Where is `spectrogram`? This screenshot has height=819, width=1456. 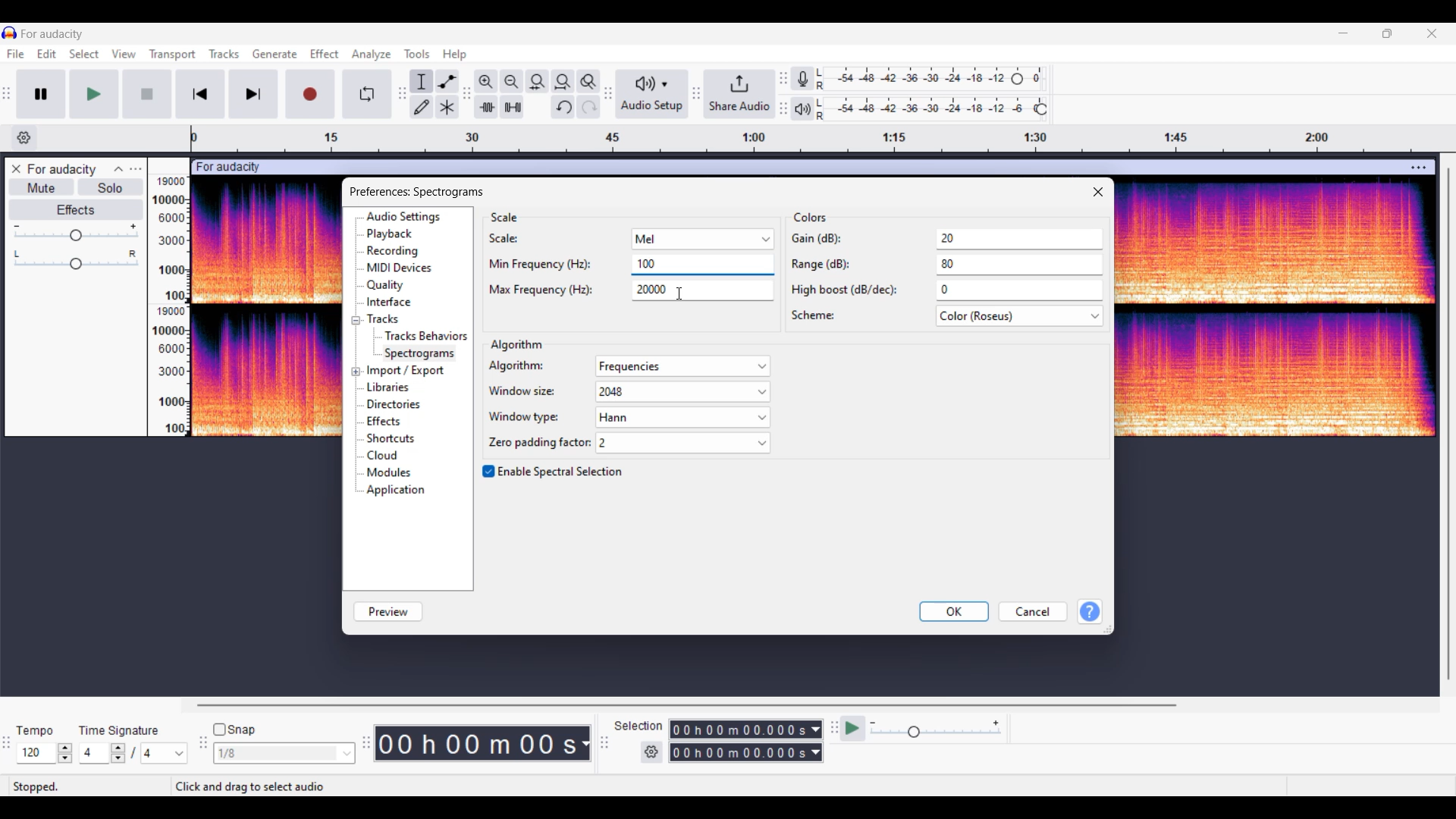
spectrogram is located at coordinates (422, 353).